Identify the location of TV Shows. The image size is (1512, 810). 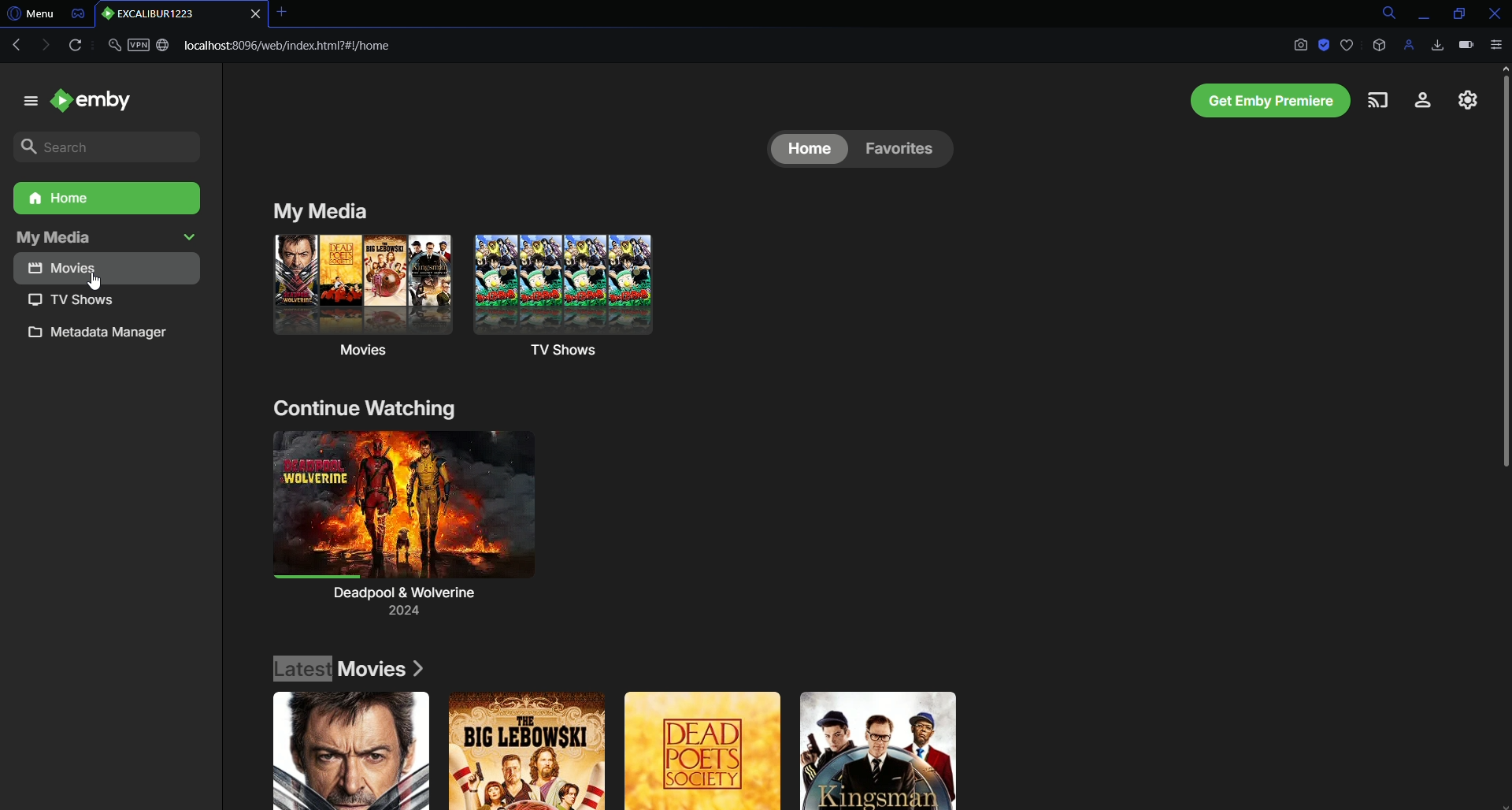
(106, 299).